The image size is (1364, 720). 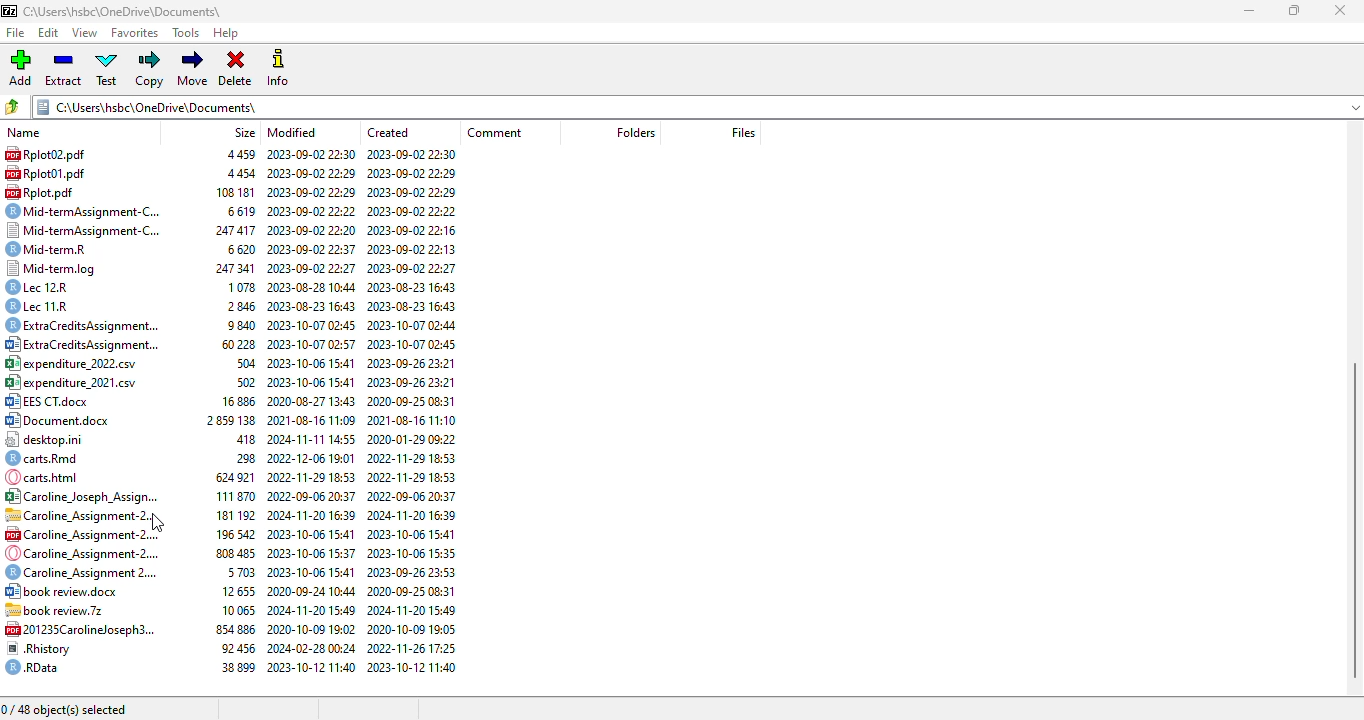 I want to click on 92 456, so click(x=238, y=647).